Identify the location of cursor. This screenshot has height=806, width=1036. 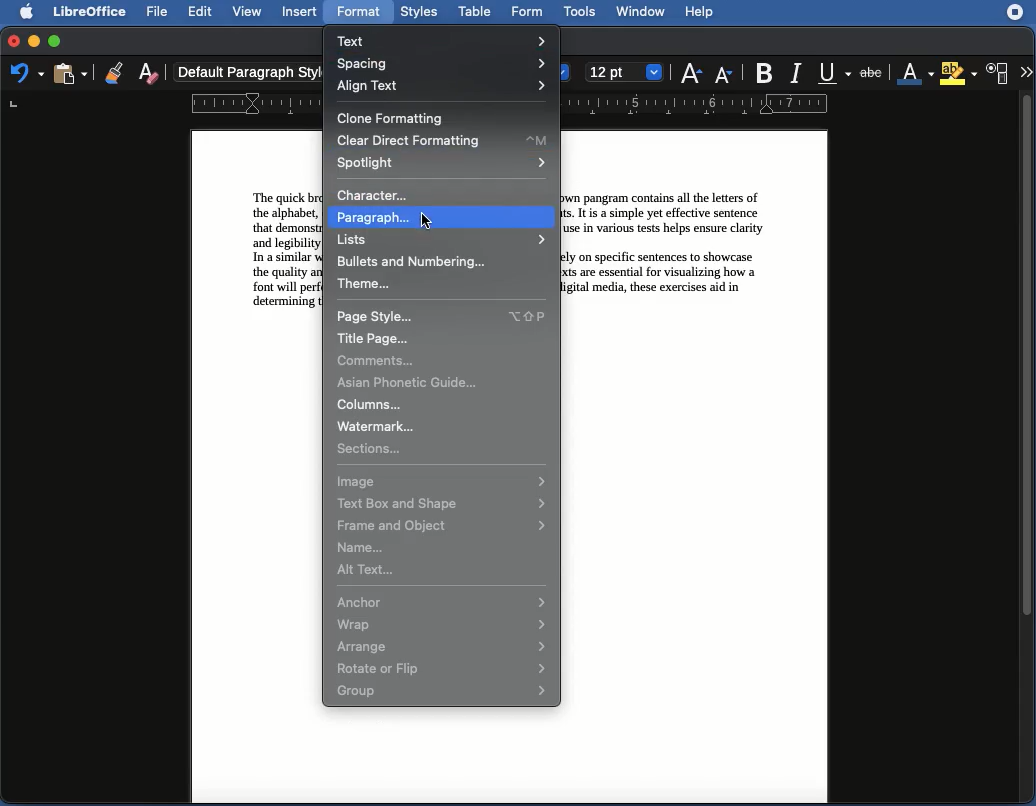
(426, 224).